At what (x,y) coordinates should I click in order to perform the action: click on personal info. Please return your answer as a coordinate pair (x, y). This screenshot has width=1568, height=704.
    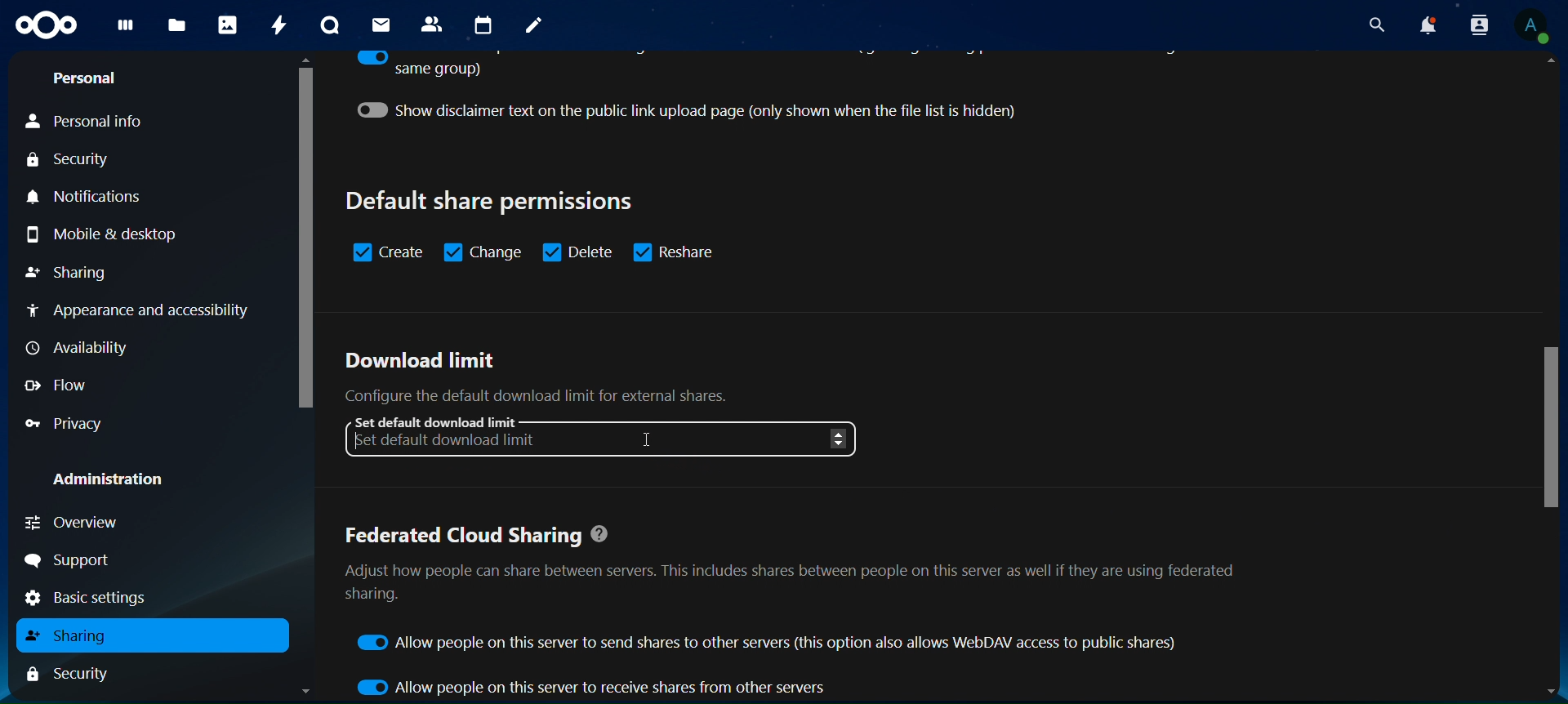
    Looking at the image, I should click on (87, 122).